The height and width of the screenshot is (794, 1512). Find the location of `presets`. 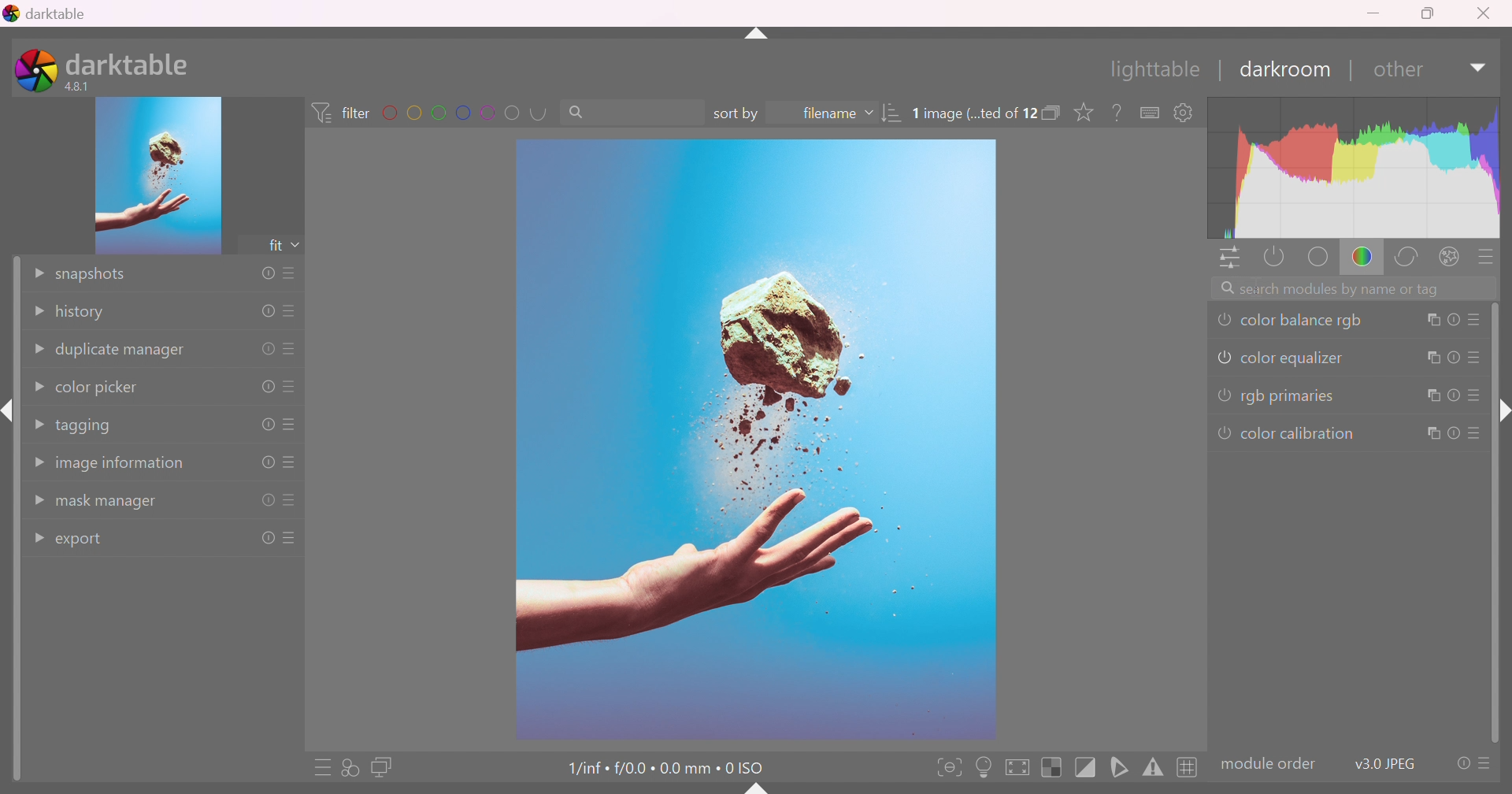

presets is located at coordinates (1477, 394).